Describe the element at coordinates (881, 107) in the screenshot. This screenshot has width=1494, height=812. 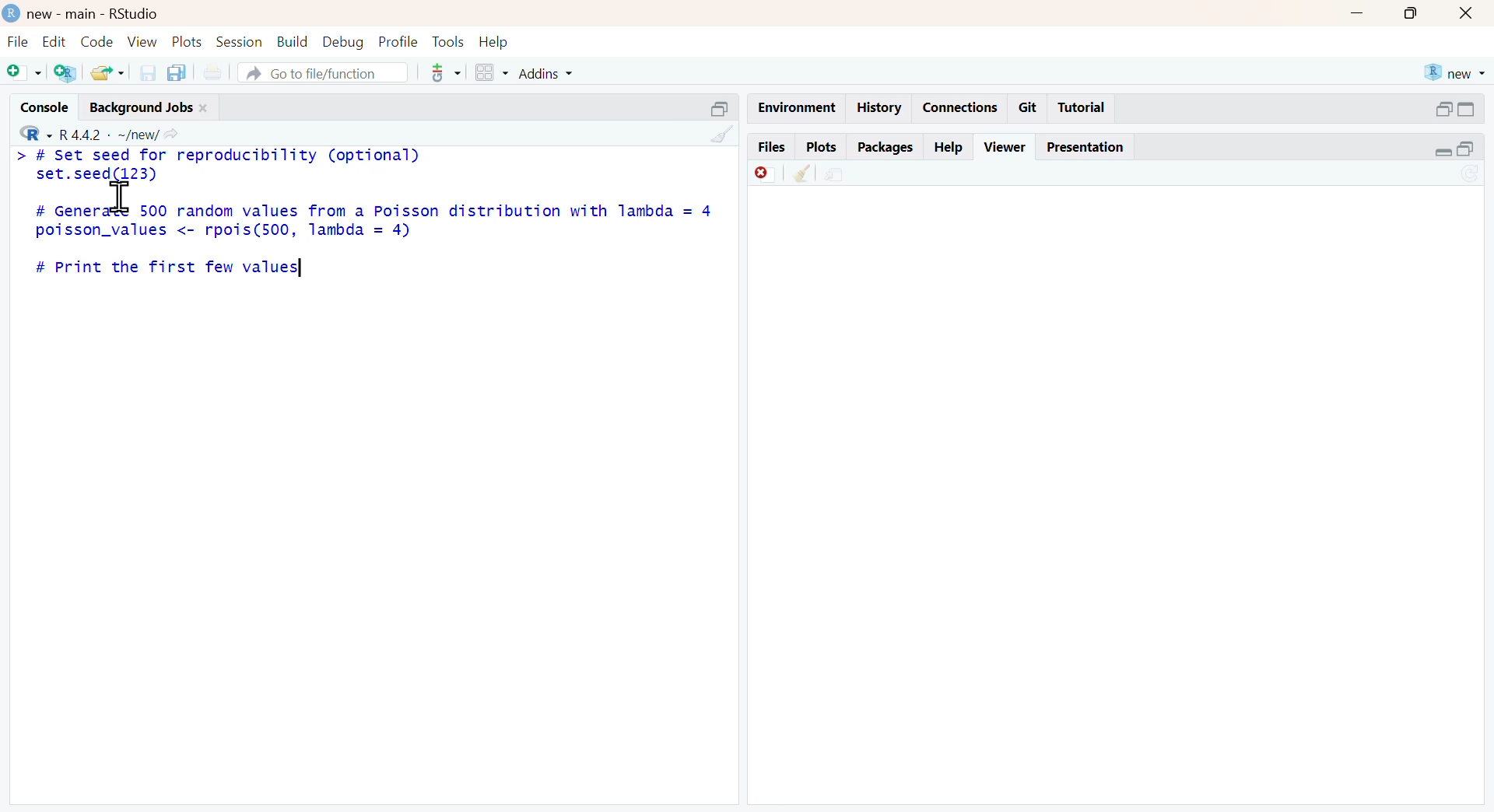
I see `history` at that location.